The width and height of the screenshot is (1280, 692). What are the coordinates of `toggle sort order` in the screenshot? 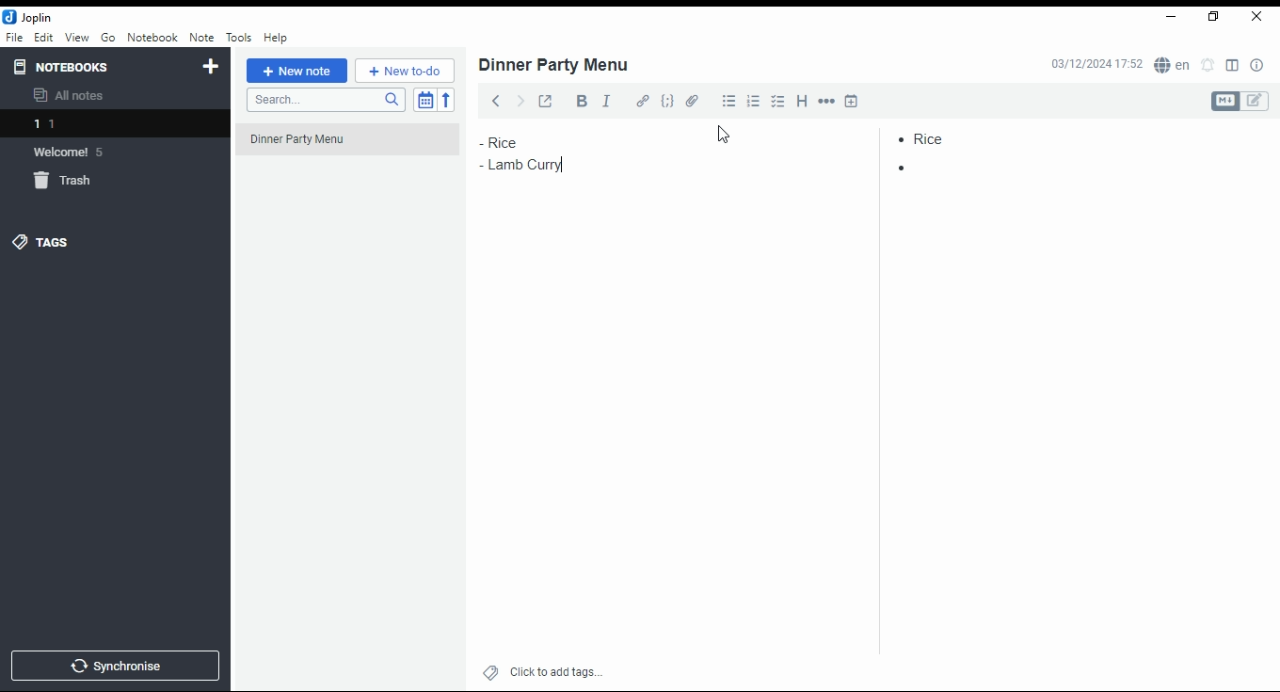 It's located at (424, 99).